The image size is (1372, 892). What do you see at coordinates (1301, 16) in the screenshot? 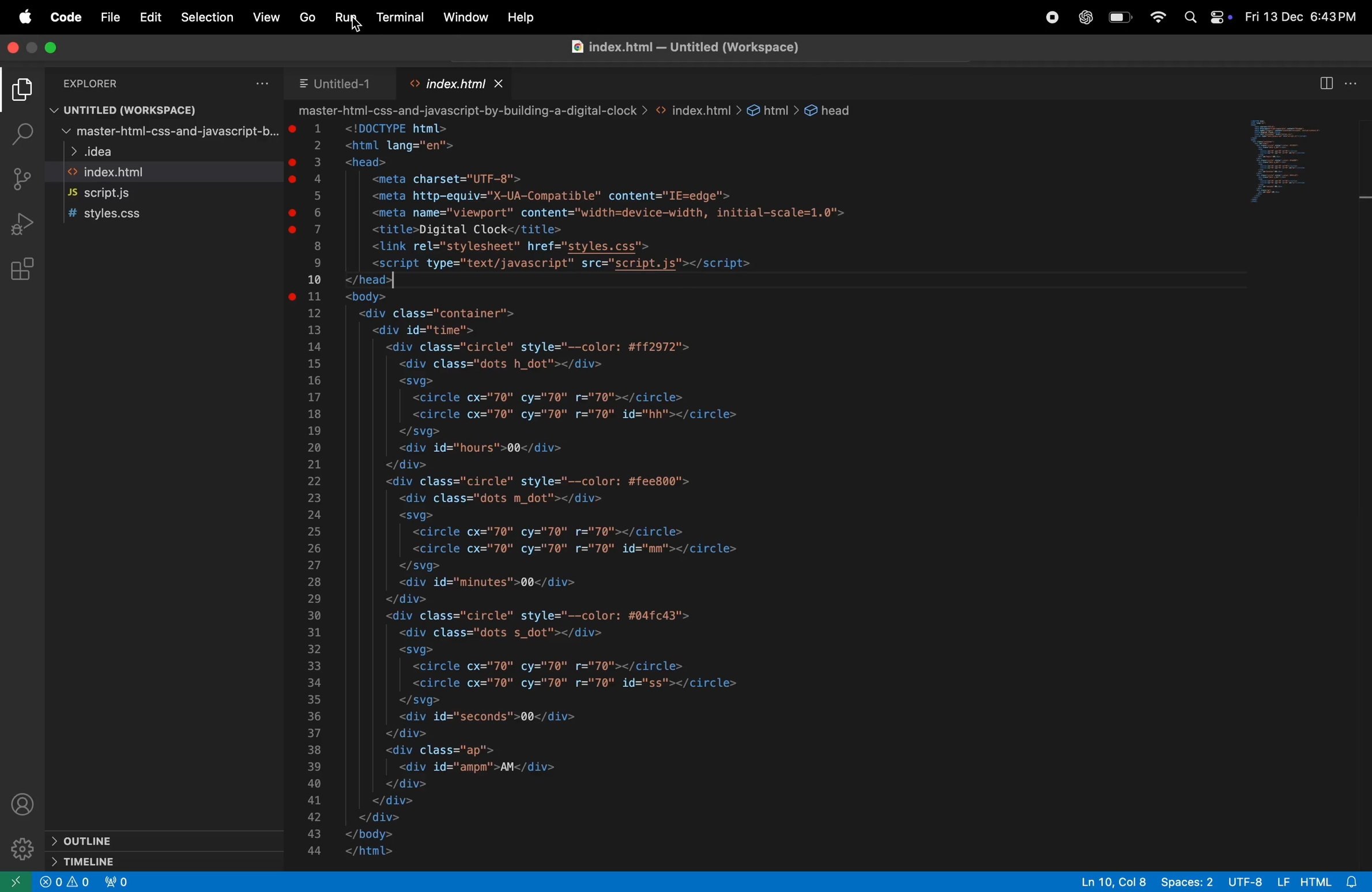
I see `date and time` at bounding box center [1301, 16].